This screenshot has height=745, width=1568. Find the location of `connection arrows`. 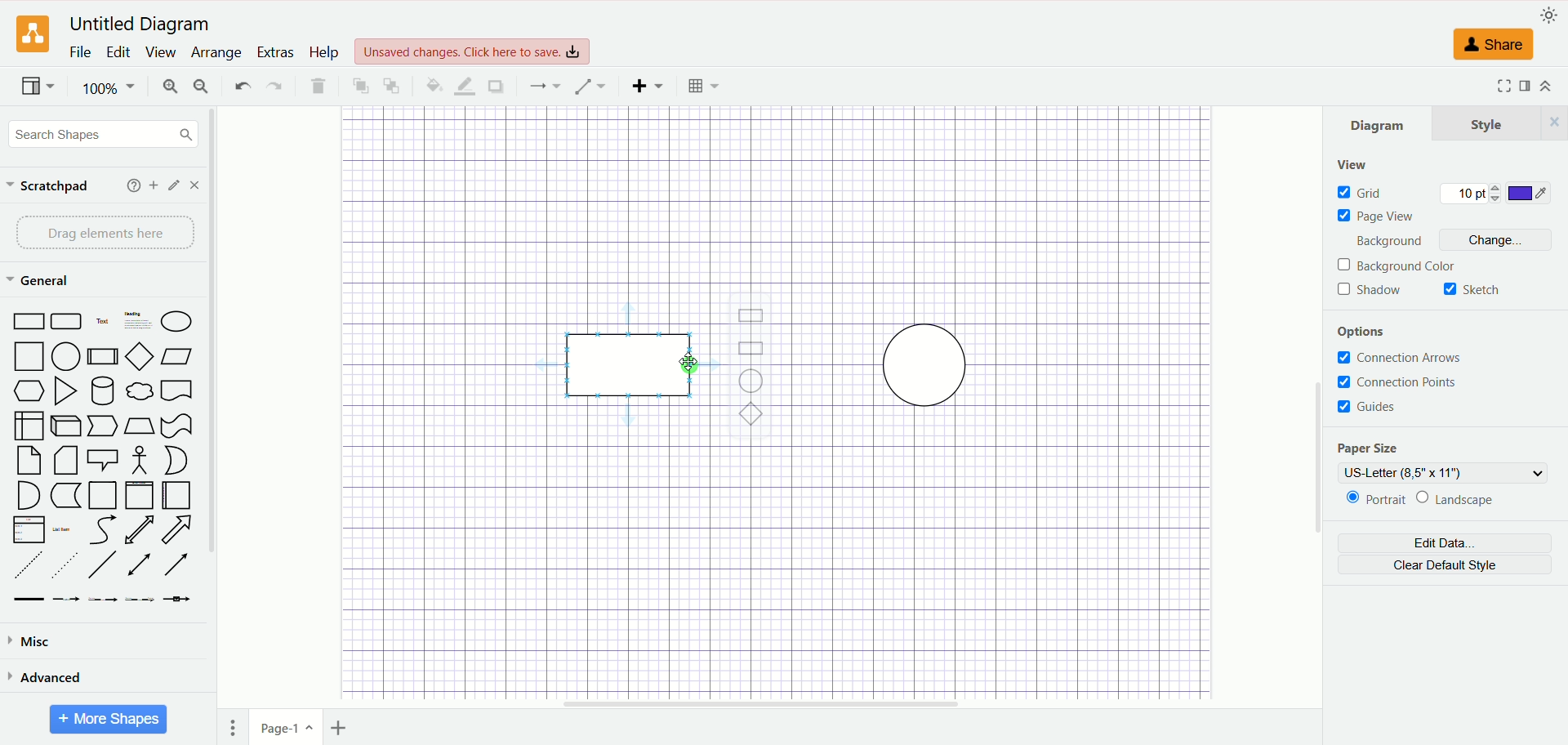

connection arrows is located at coordinates (1399, 358).